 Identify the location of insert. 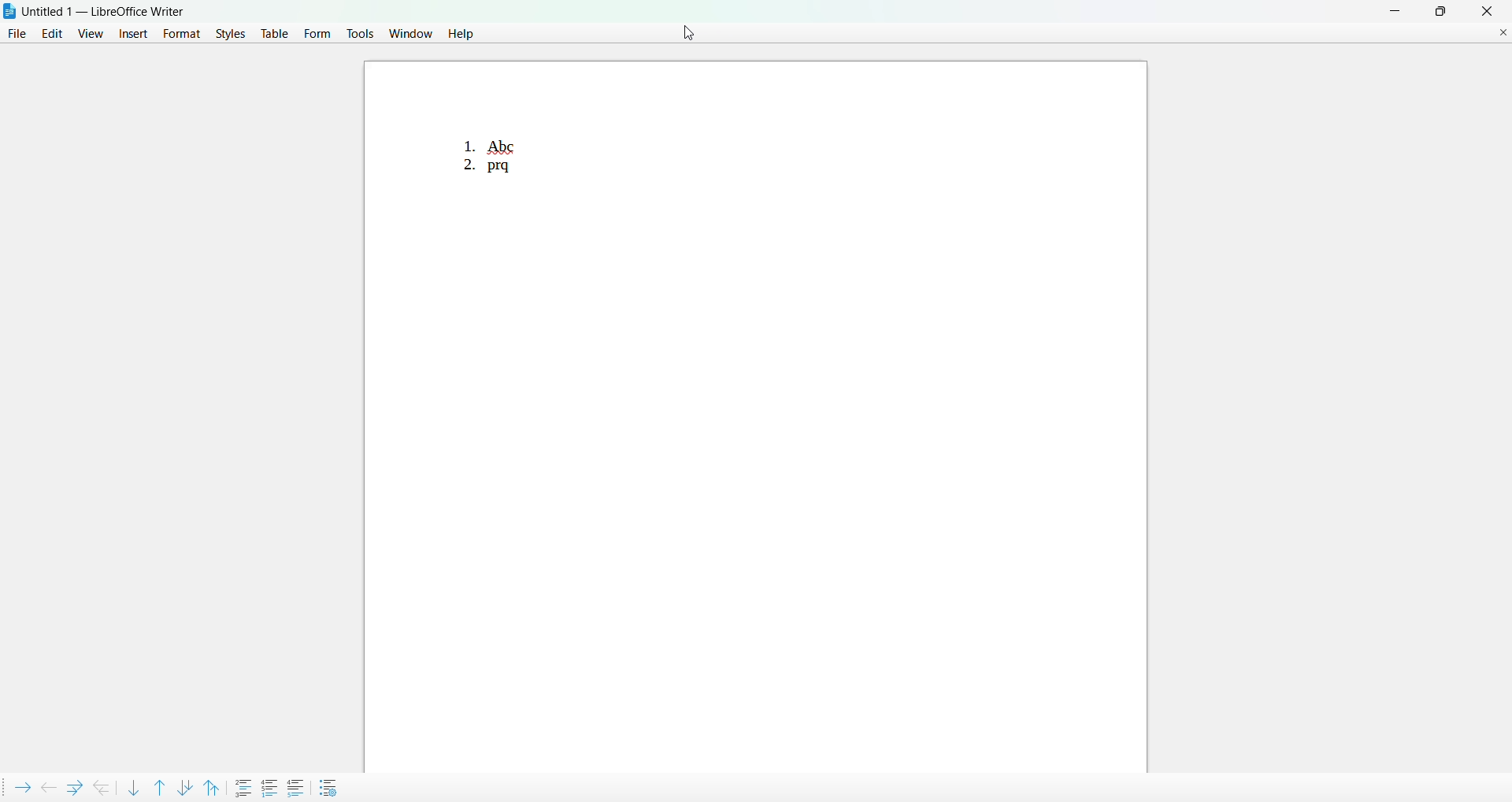
(132, 33).